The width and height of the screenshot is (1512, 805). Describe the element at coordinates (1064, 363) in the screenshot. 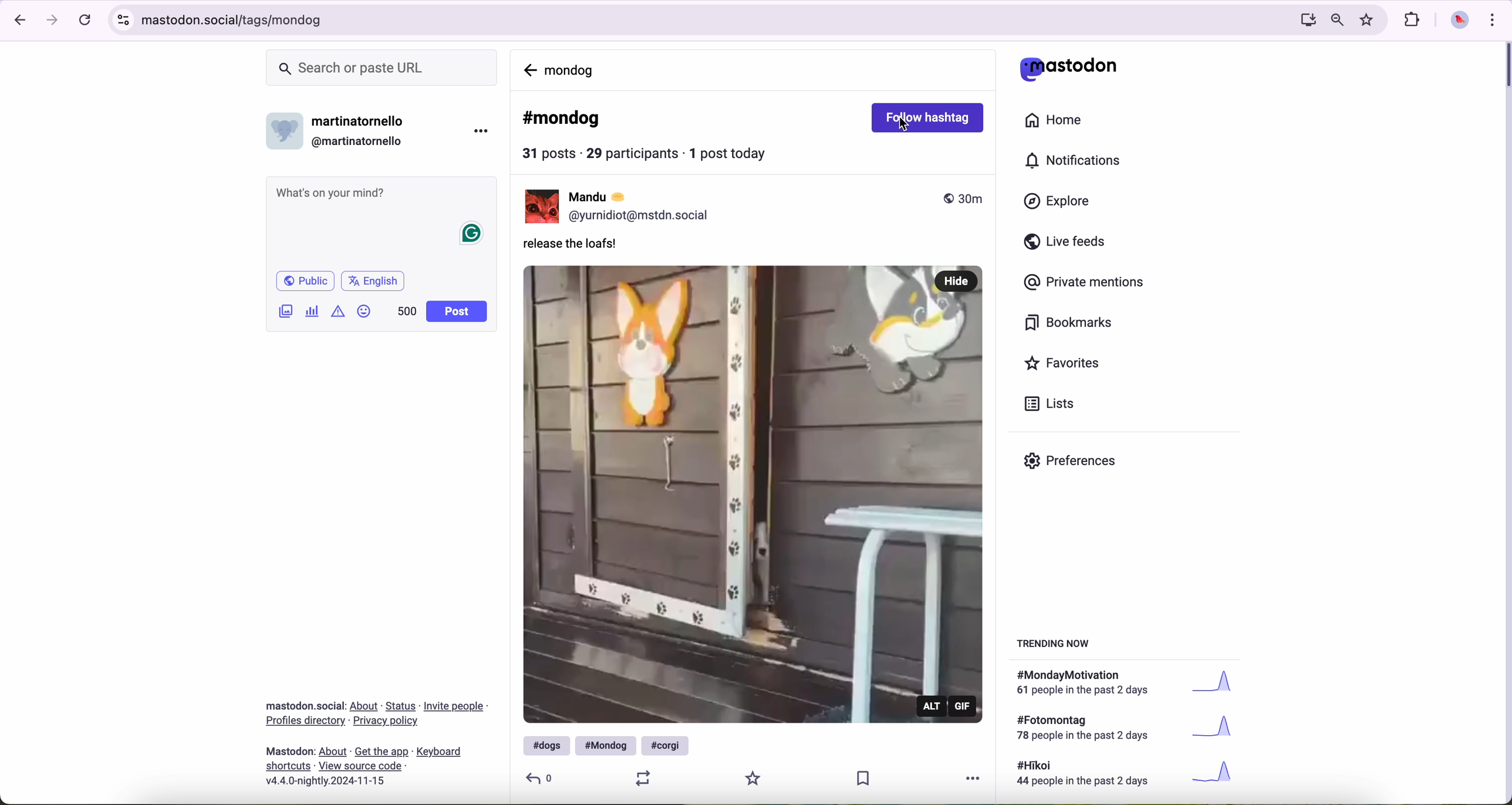

I see `favorites` at that location.